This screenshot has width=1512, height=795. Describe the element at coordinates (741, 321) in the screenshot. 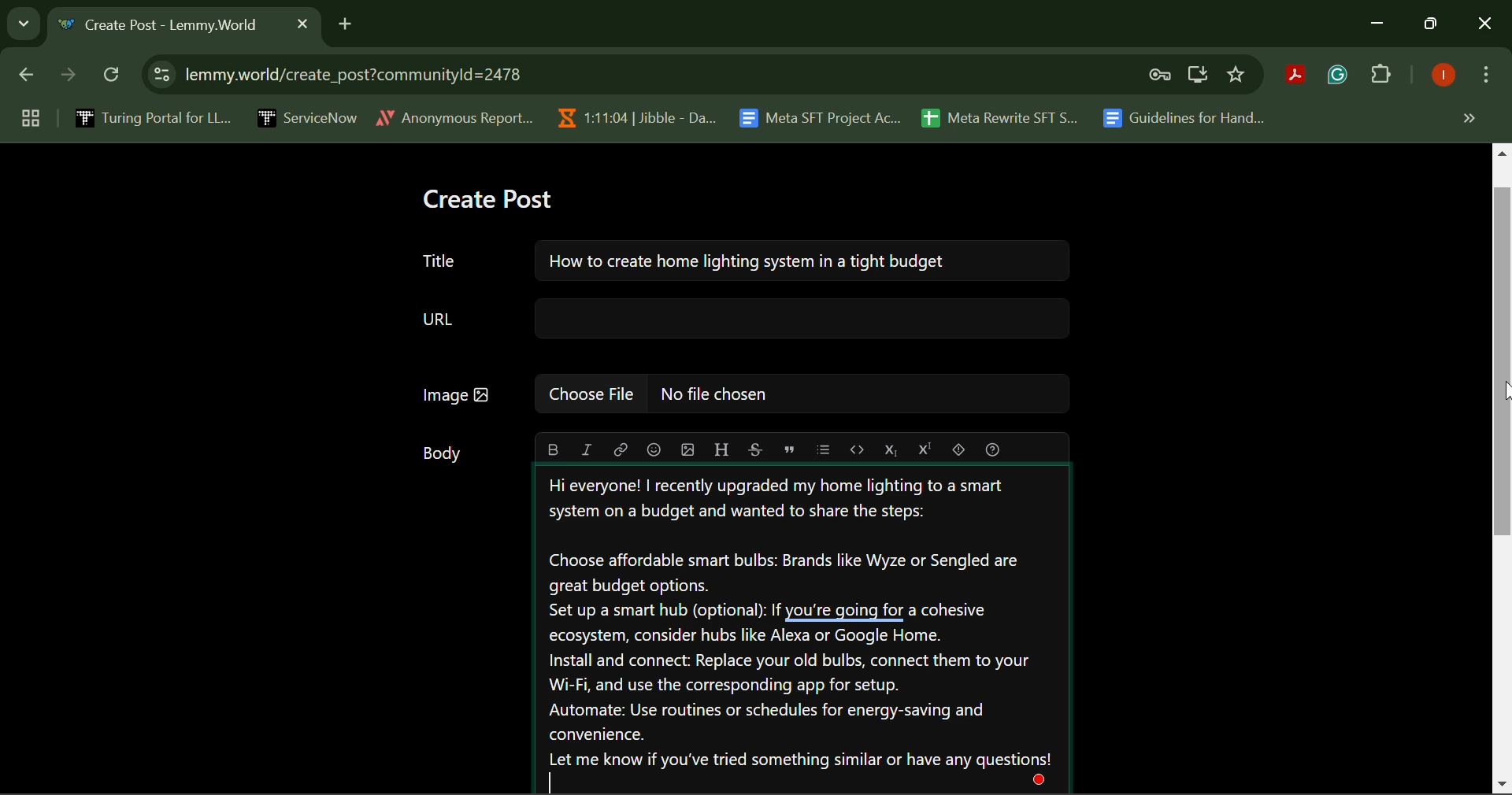

I see `URL Text Box` at that location.